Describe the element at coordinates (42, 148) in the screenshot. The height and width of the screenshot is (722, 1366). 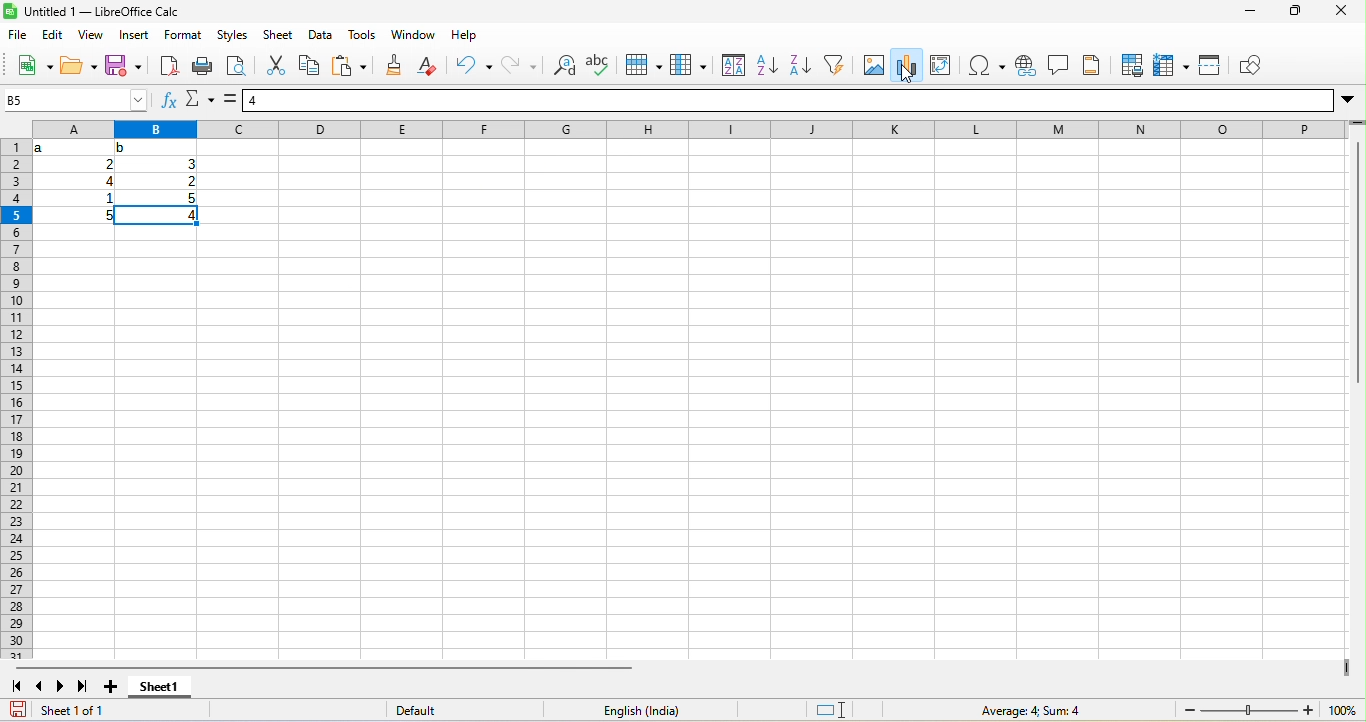
I see `a` at that location.